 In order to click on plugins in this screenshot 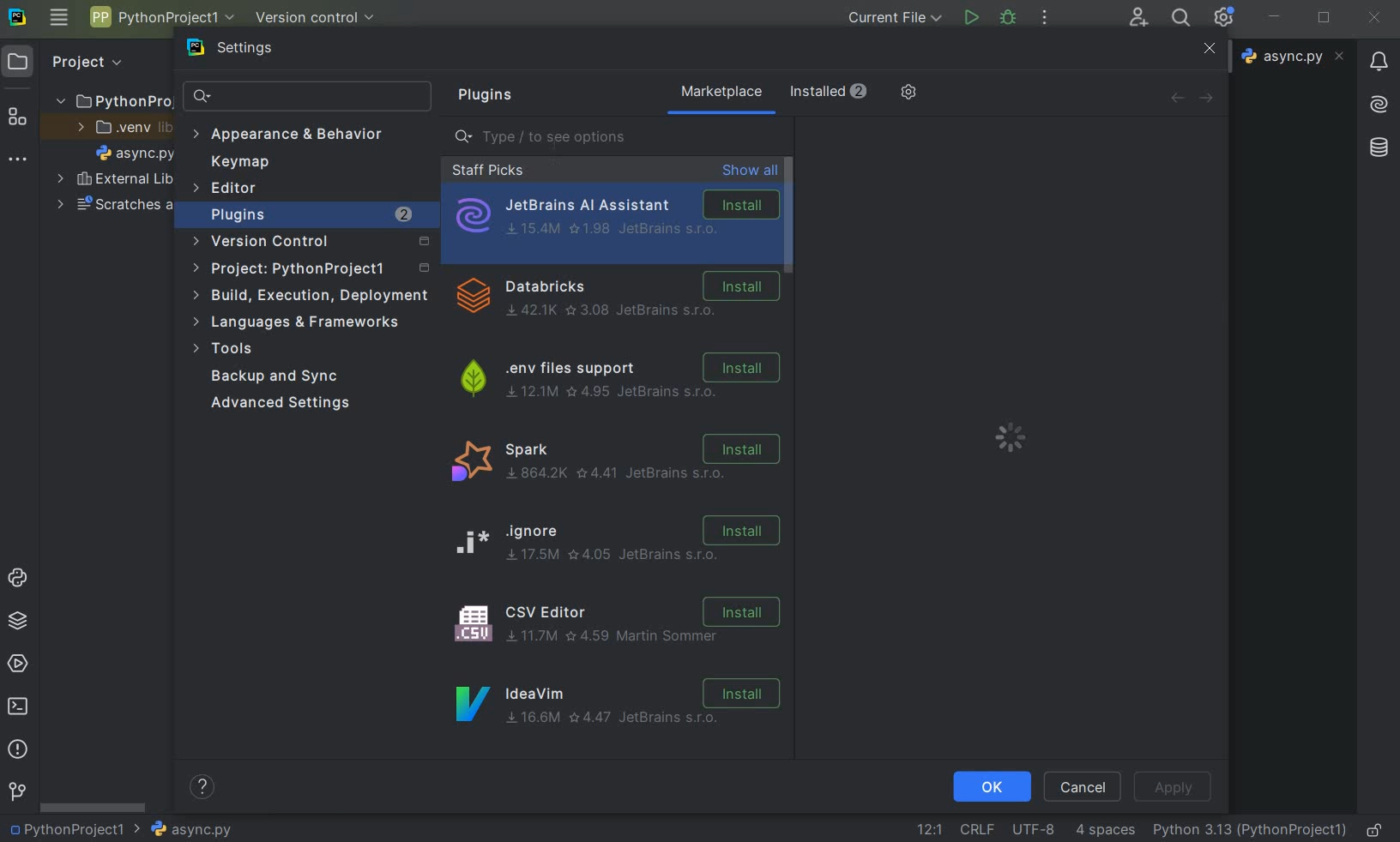, I will do `click(492, 95)`.